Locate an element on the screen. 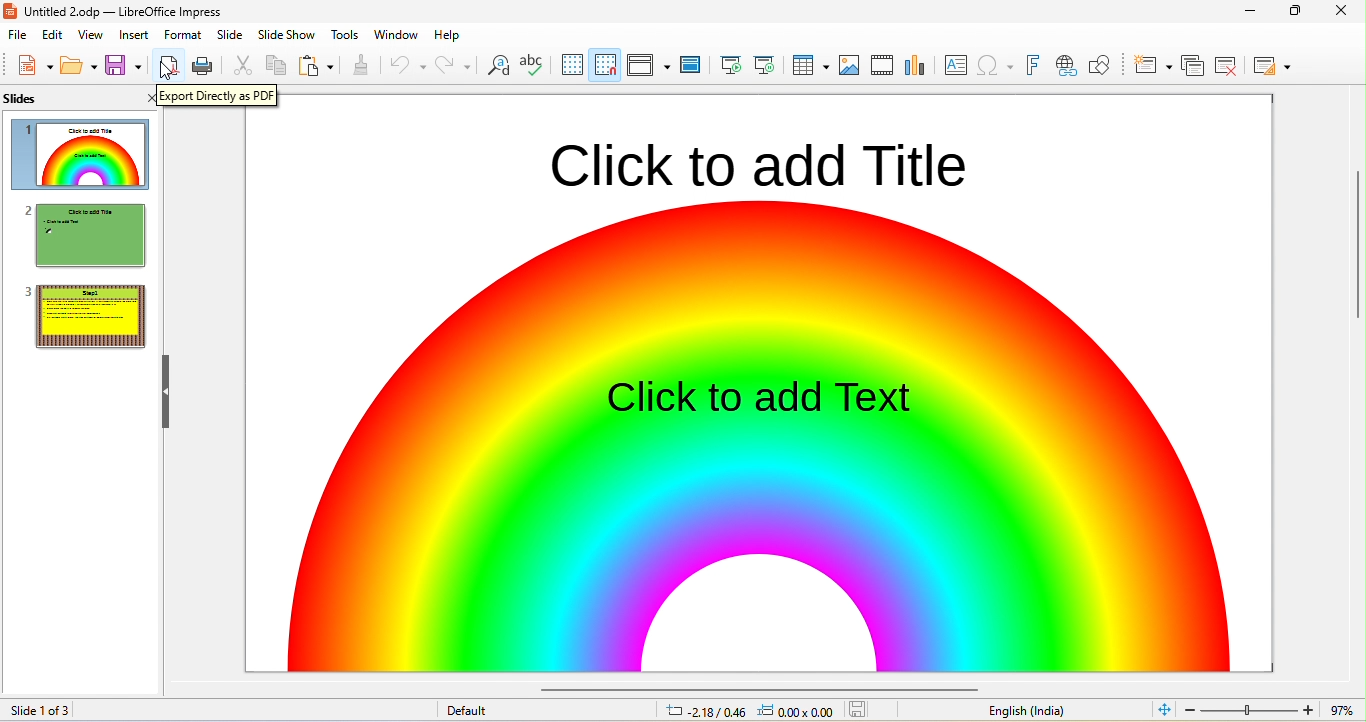 This screenshot has height=722, width=1366. slide is located at coordinates (229, 35).